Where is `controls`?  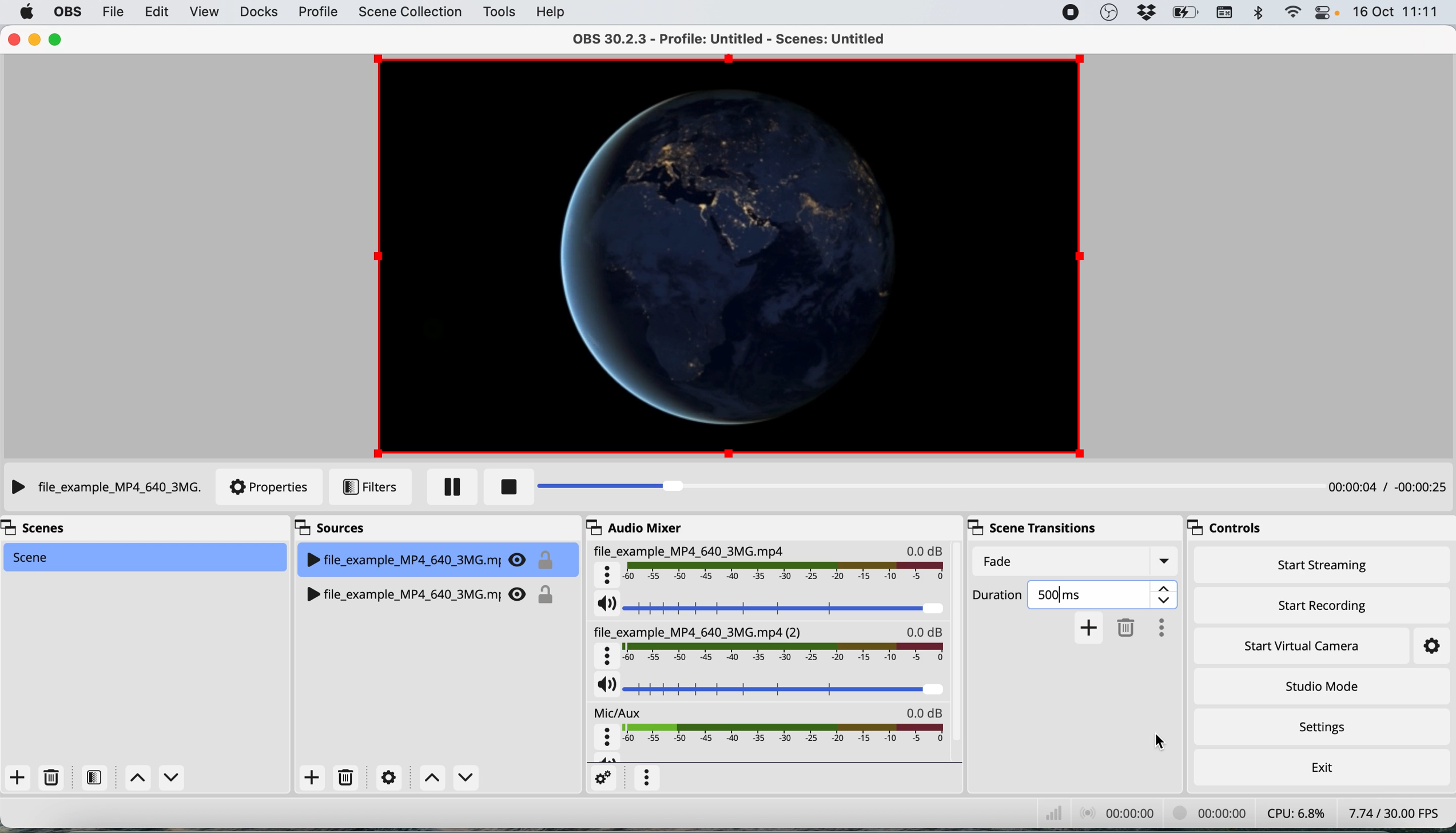
controls is located at coordinates (1223, 529).